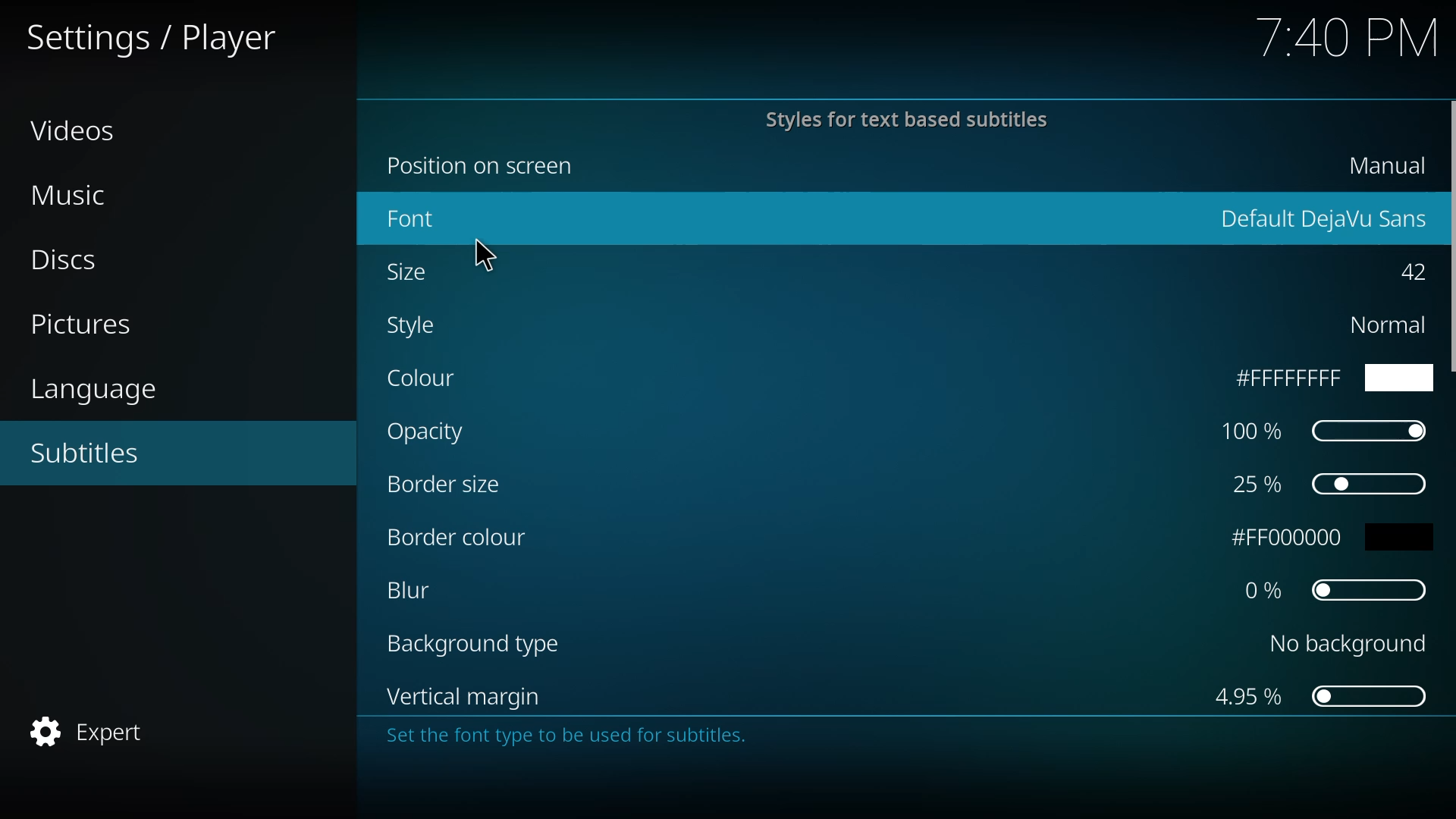 The height and width of the screenshot is (819, 1456). What do you see at coordinates (91, 454) in the screenshot?
I see `subtitles` at bounding box center [91, 454].